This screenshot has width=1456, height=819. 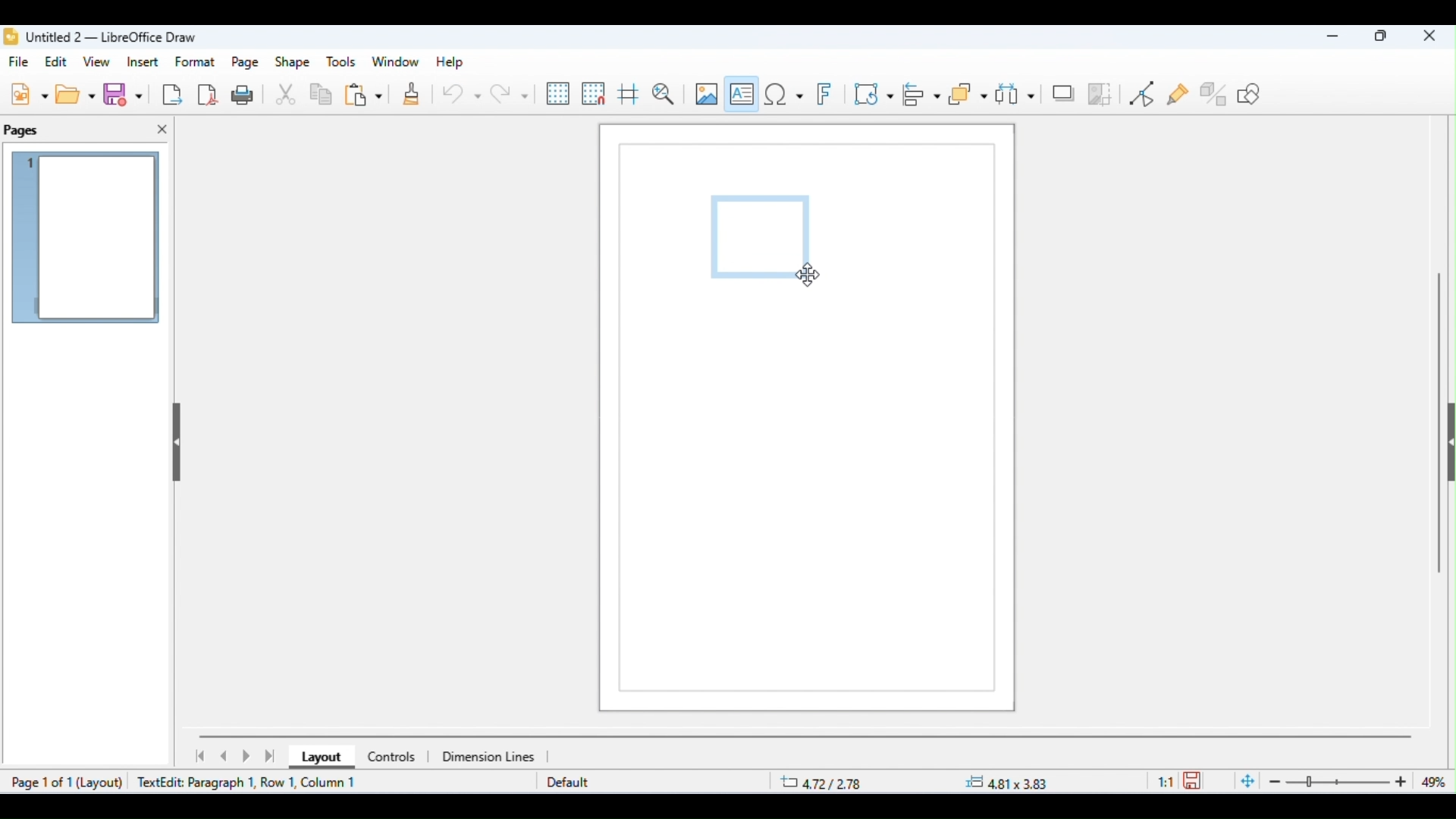 What do you see at coordinates (40, 782) in the screenshot?
I see `page 1 of 1` at bounding box center [40, 782].